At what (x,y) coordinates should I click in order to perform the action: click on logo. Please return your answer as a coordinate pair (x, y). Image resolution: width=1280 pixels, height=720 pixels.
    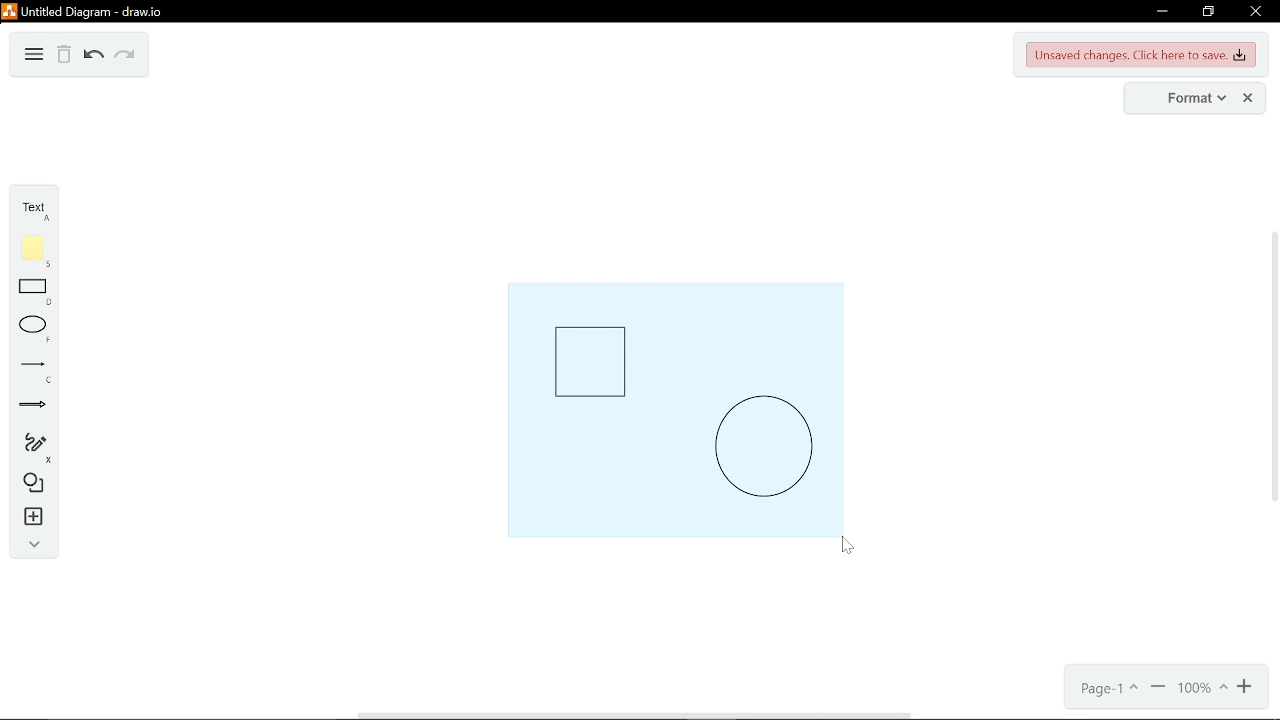
    Looking at the image, I should click on (9, 11).